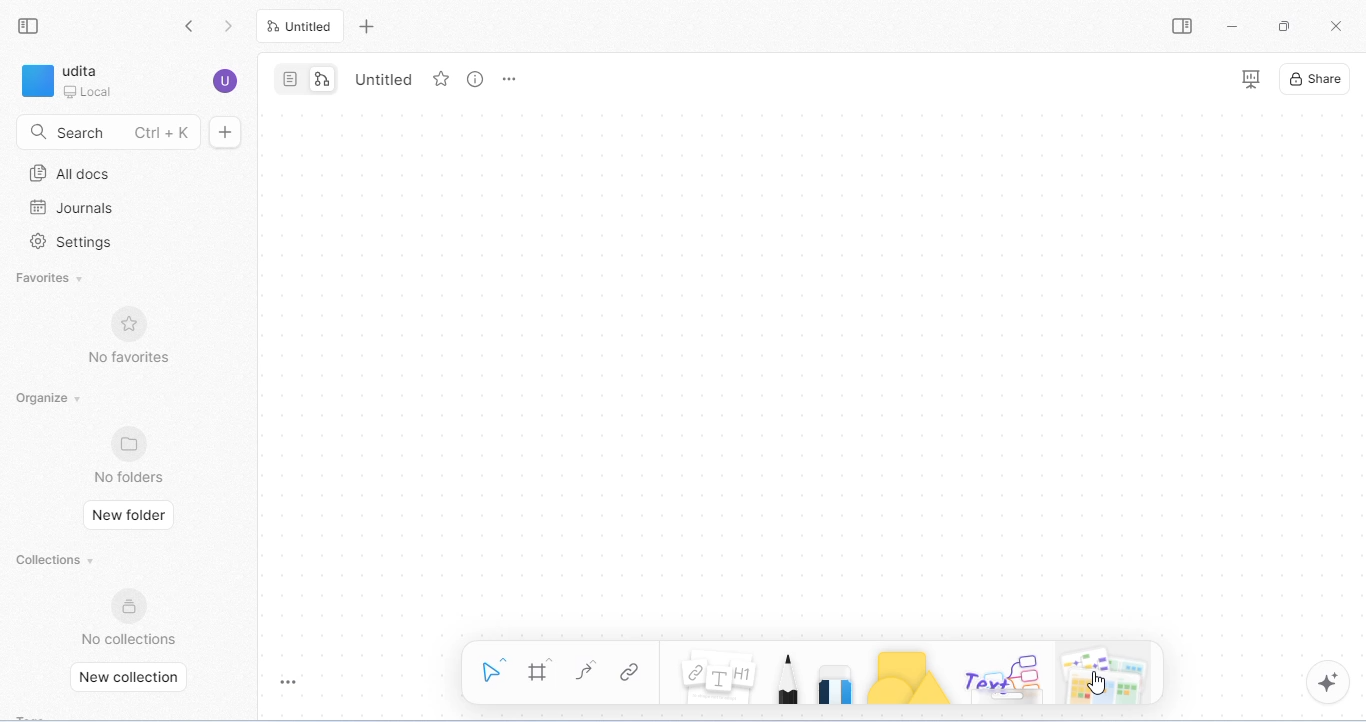  I want to click on AI assistant, so click(1330, 683).